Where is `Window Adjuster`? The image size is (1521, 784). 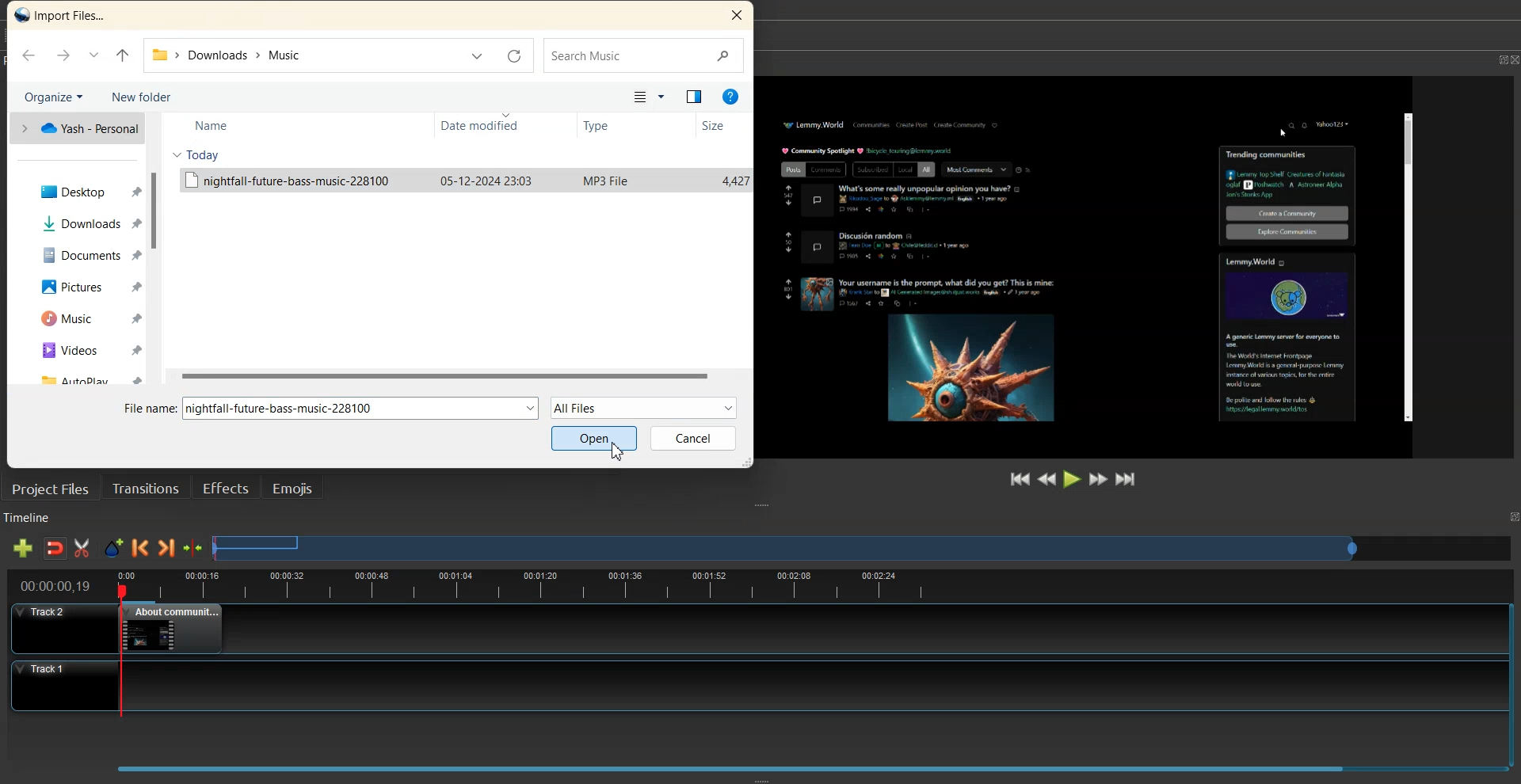
Window Adjuster is located at coordinates (747, 462).